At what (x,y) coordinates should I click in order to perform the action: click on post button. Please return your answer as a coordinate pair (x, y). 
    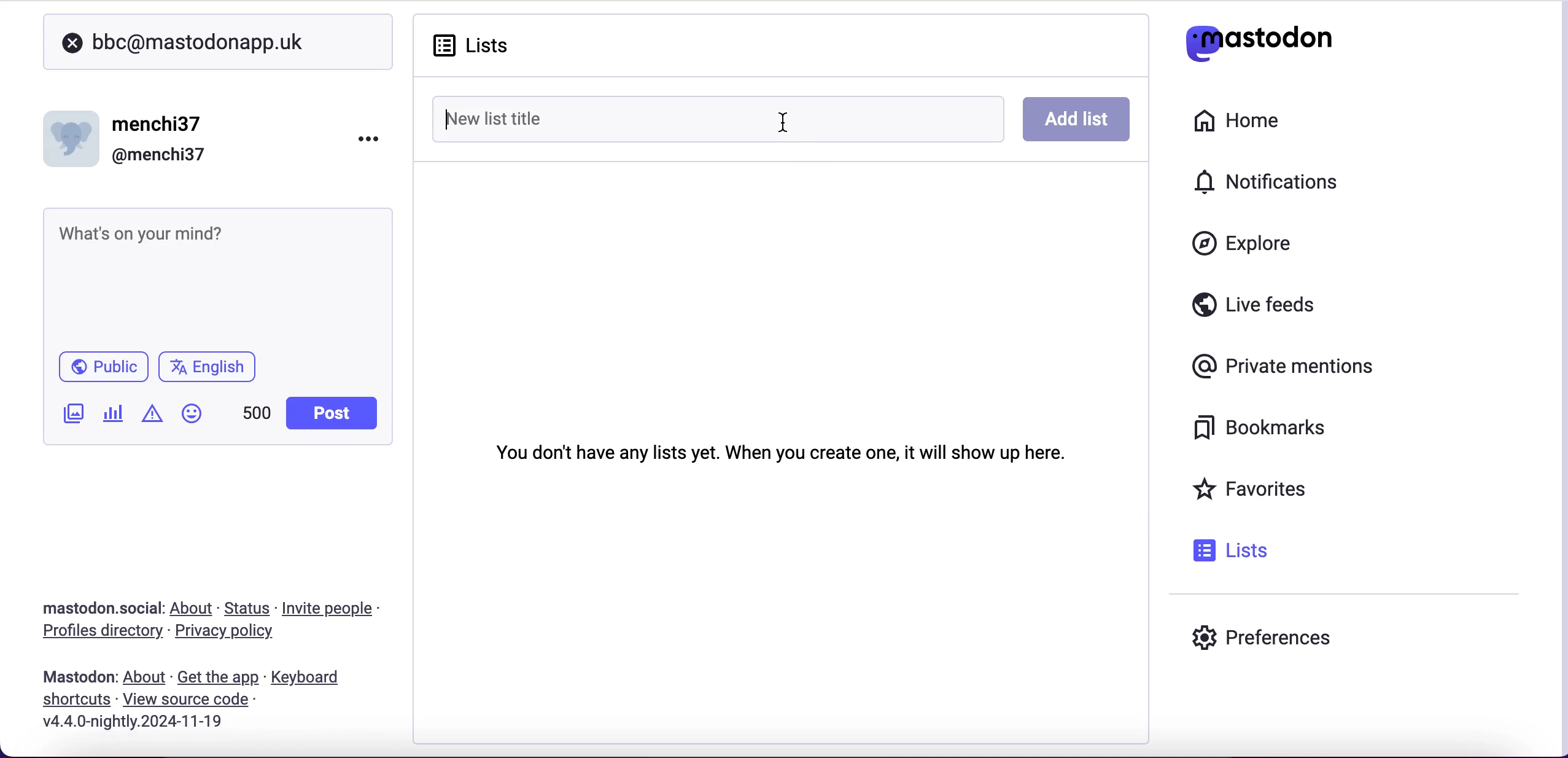
    Looking at the image, I should click on (335, 413).